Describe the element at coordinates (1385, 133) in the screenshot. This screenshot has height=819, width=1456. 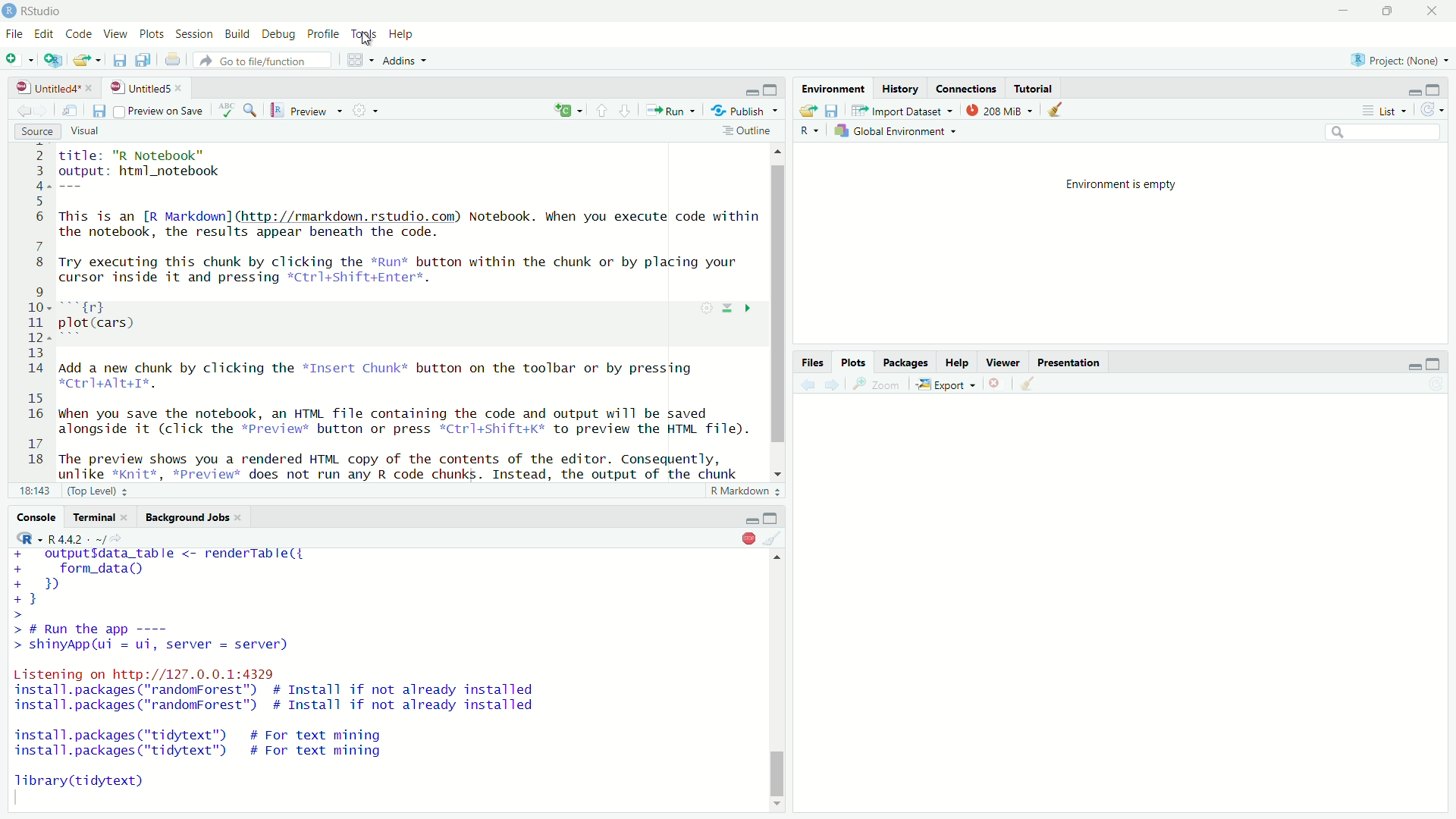
I see `search` at that location.